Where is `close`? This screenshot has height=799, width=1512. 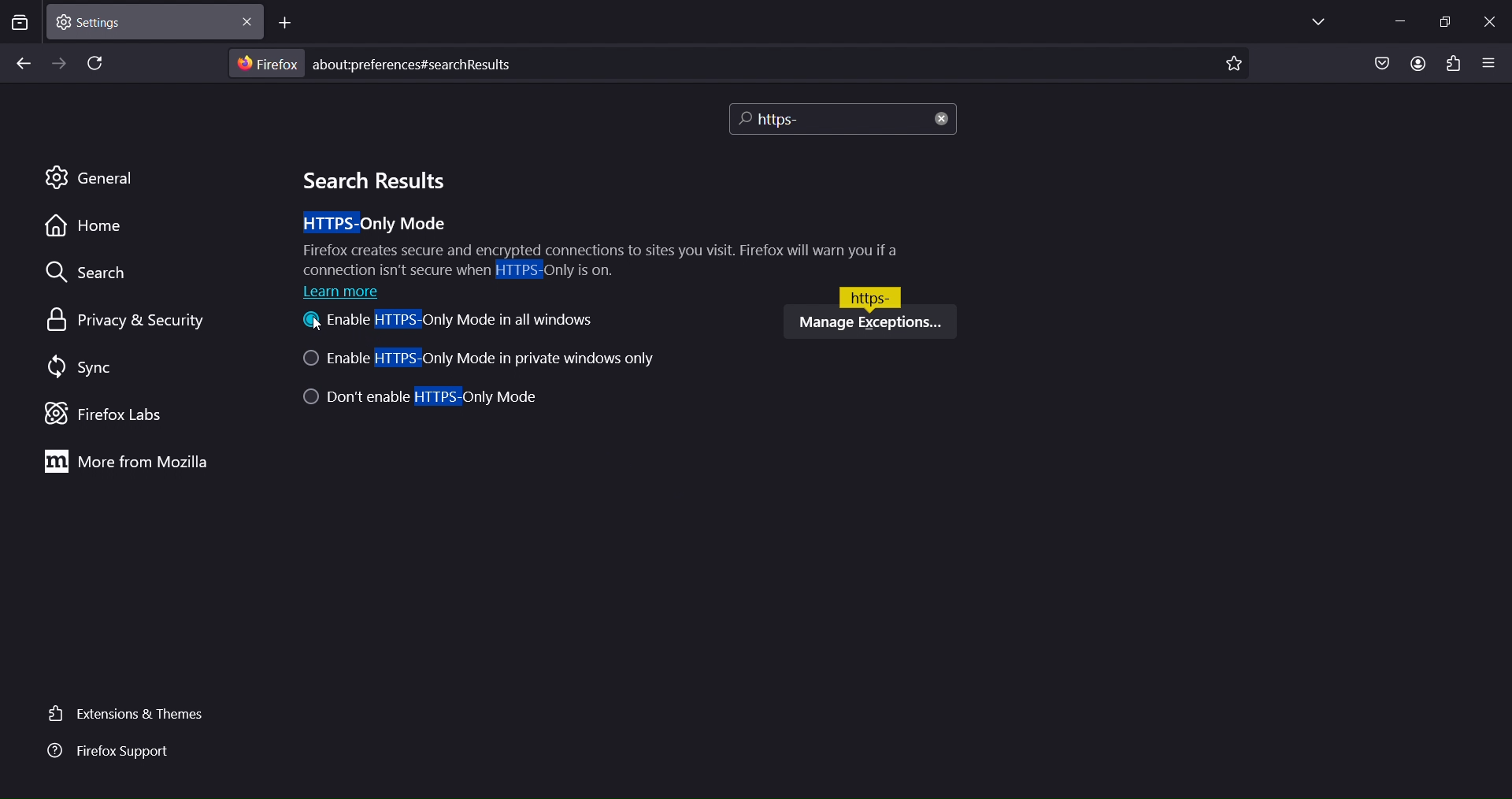
close is located at coordinates (943, 121).